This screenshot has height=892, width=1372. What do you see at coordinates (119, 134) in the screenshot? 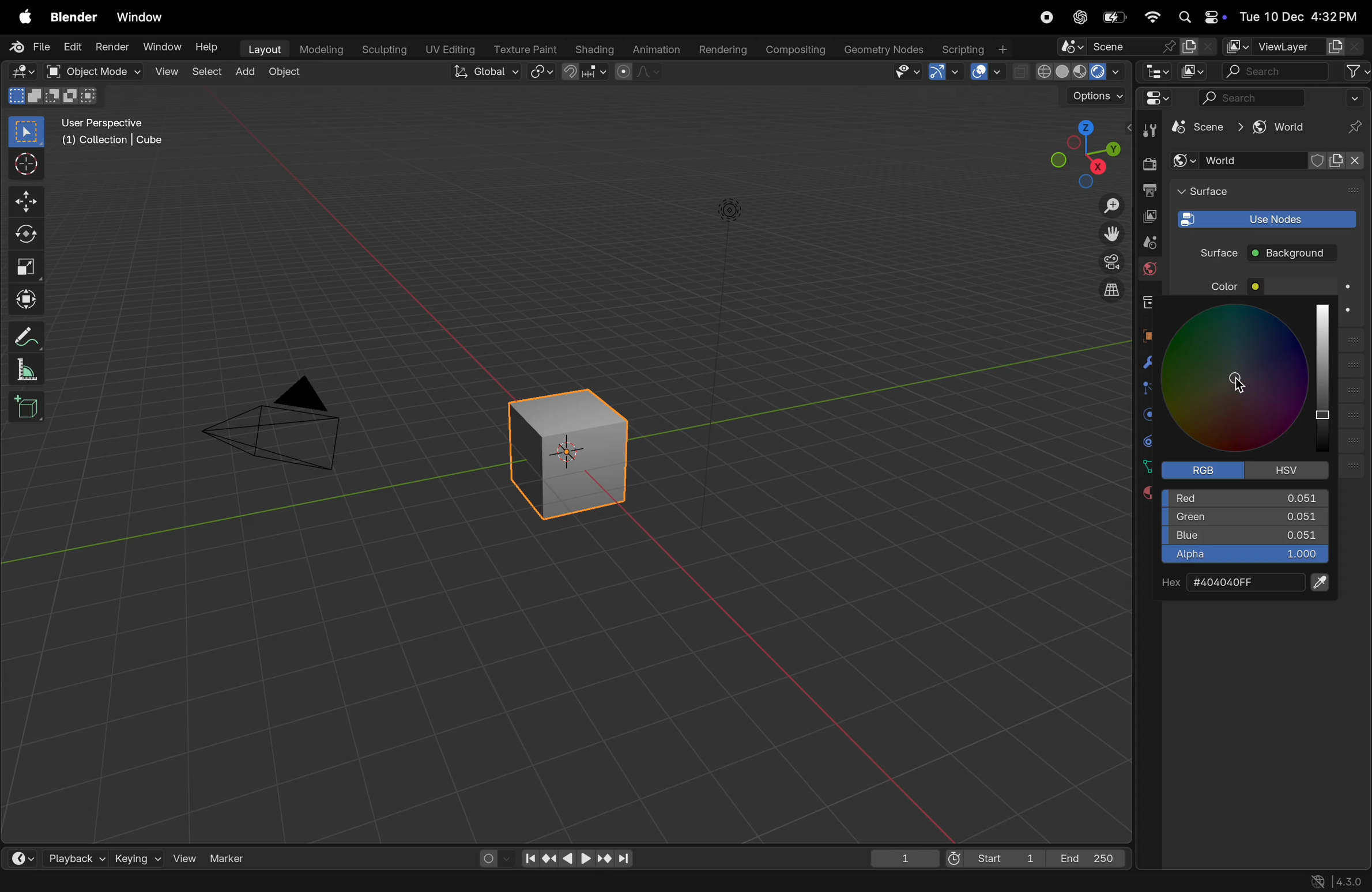
I see `user perspective` at bounding box center [119, 134].